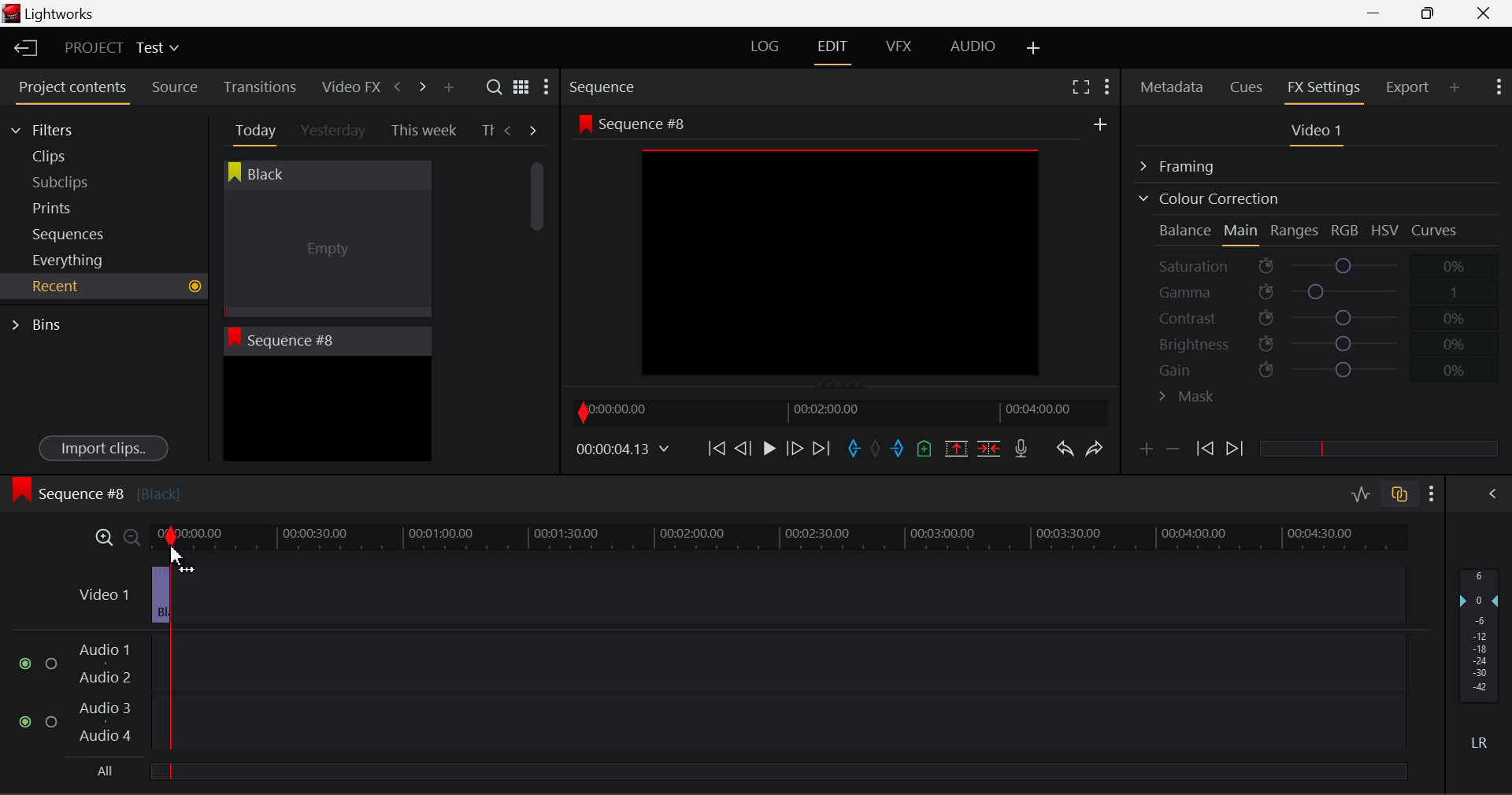 The image size is (1512, 795). I want to click on Saturation, so click(1314, 263).